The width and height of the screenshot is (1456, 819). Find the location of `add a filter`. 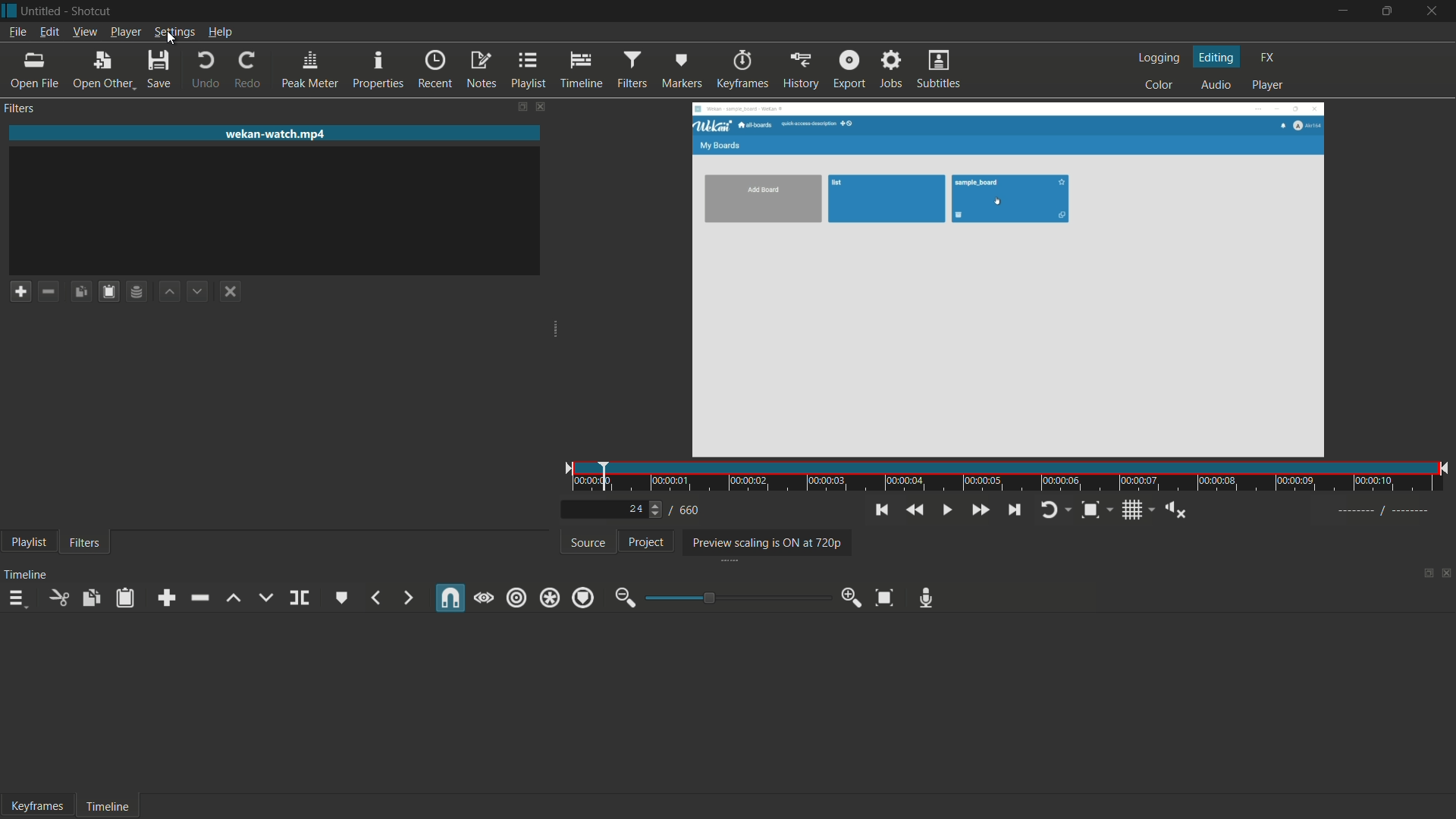

add a filter is located at coordinates (17, 292).